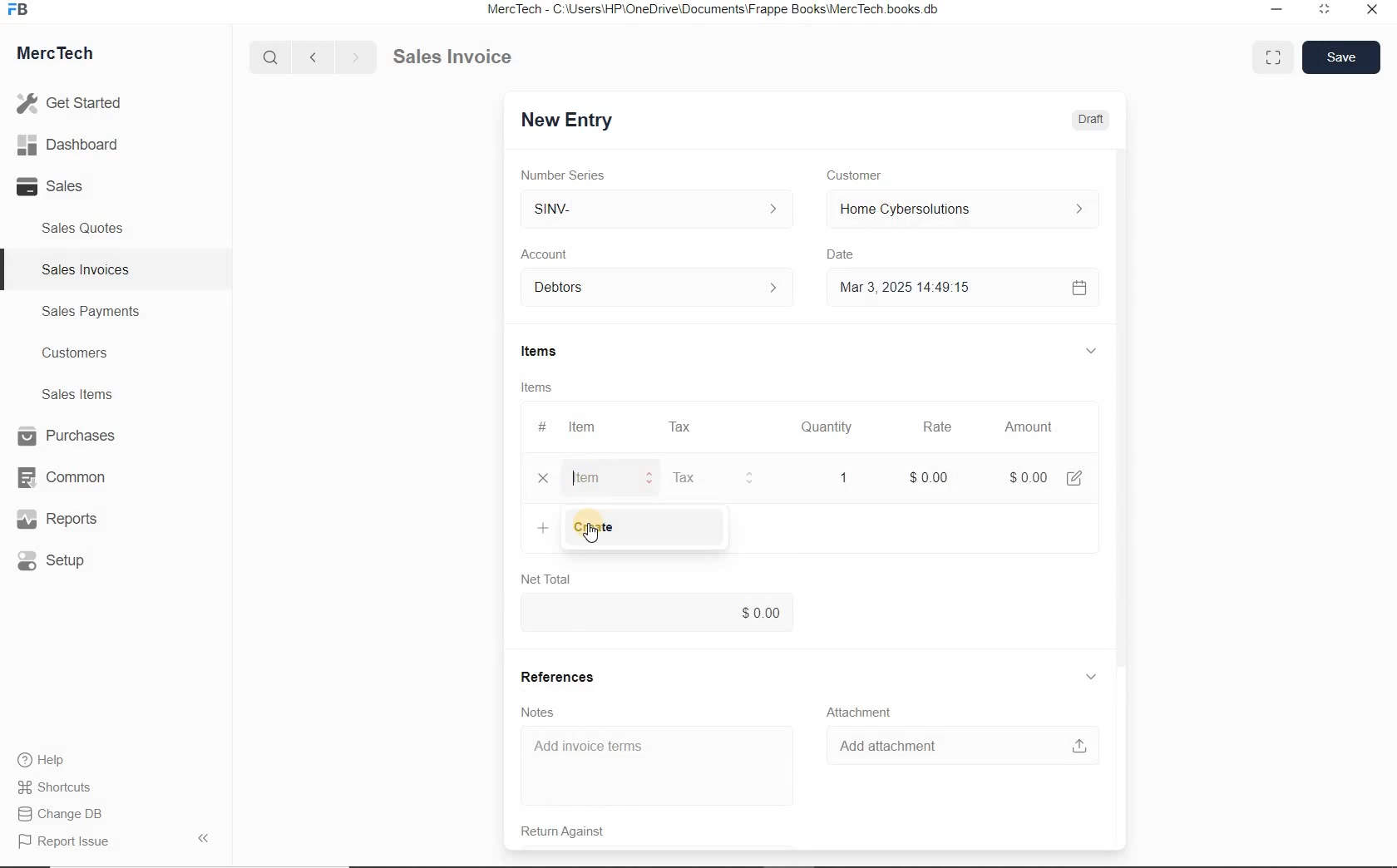 This screenshot has width=1397, height=868. I want to click on Save, so click(1340, 57).